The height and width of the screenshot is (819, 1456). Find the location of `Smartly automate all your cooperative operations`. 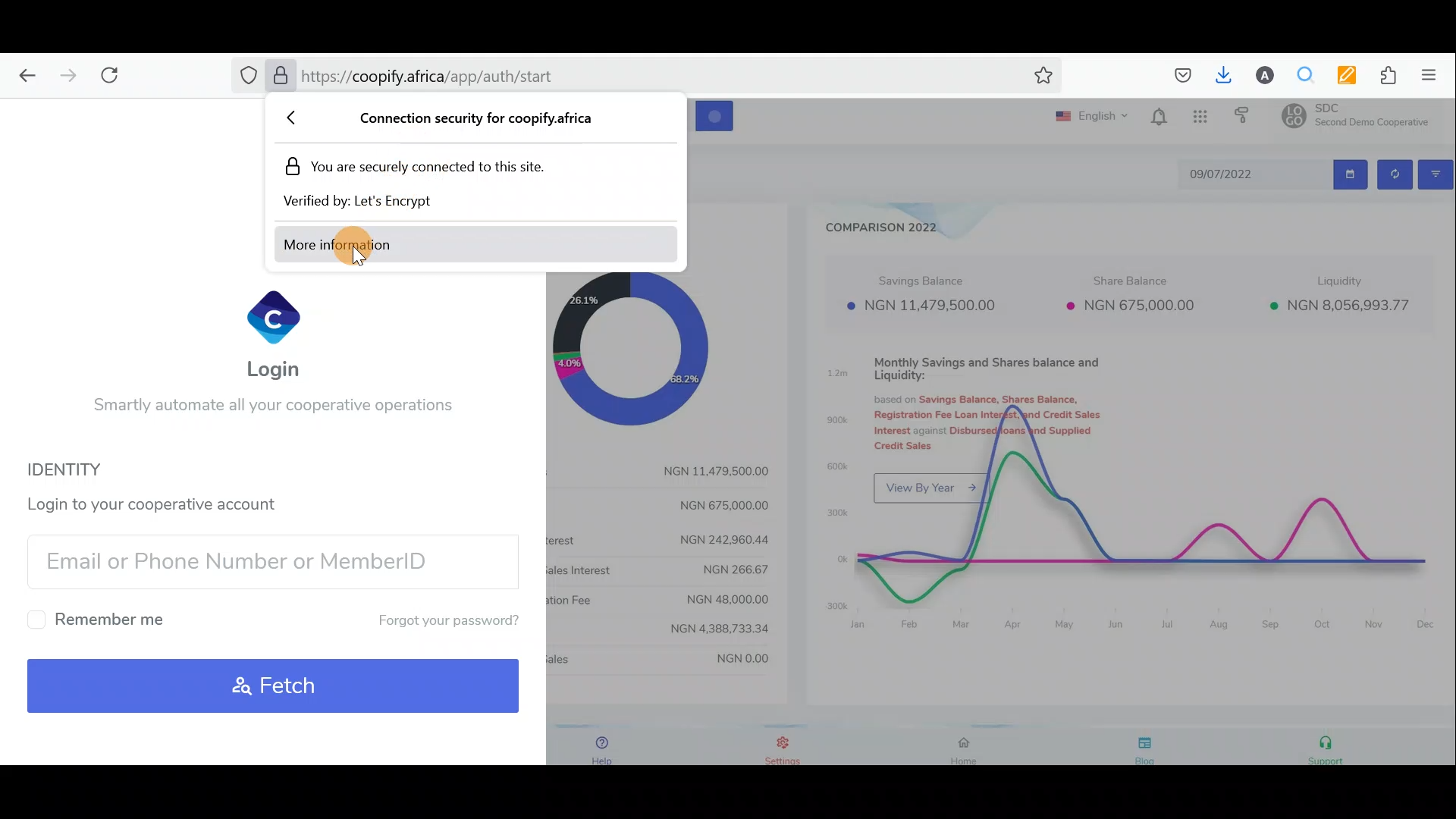

Smartly automate all your cooperative operations is located at coordinates (271, 409).